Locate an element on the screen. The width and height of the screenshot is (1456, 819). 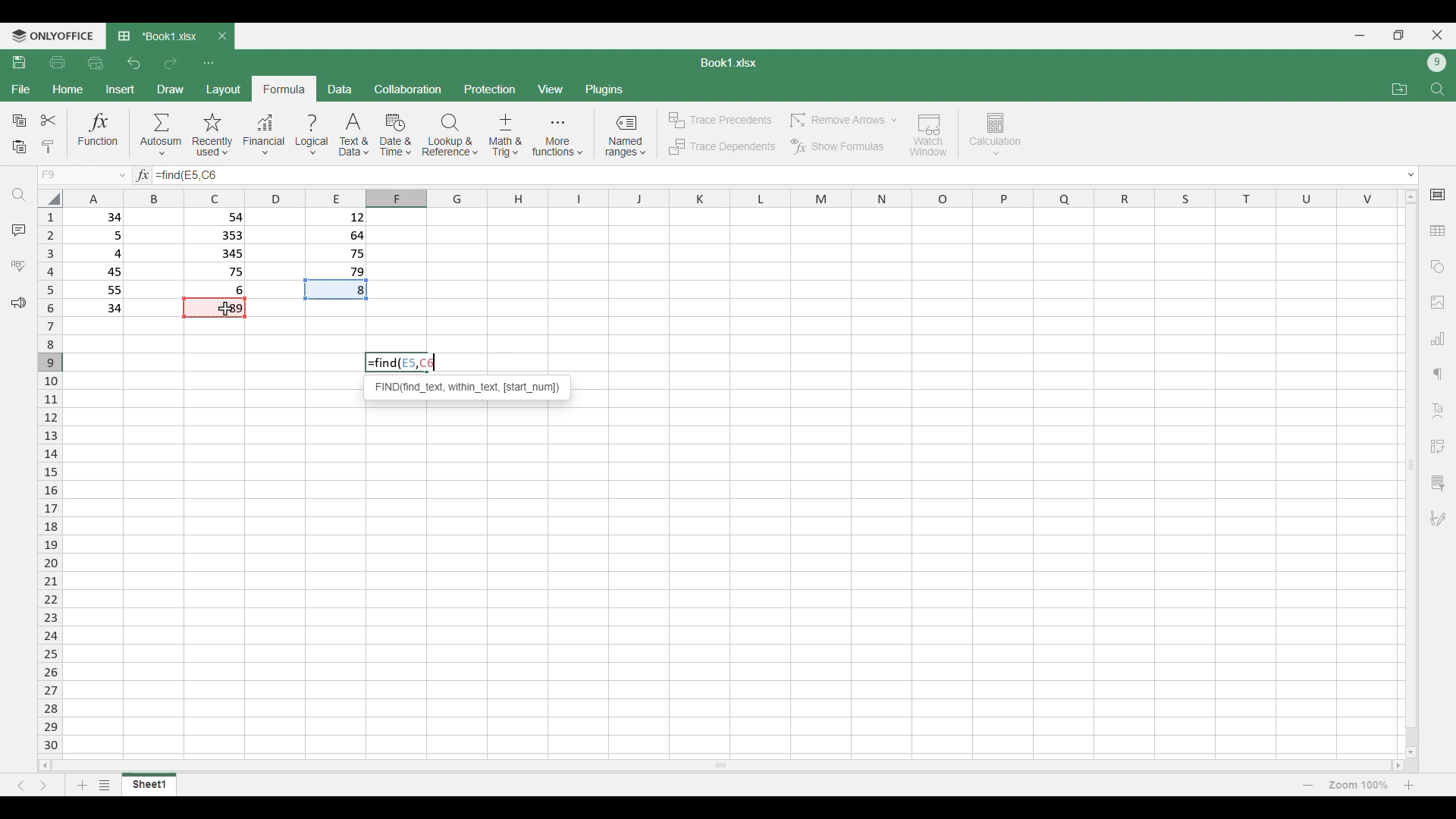
Current set of cells is located at coordinates (733, 582).